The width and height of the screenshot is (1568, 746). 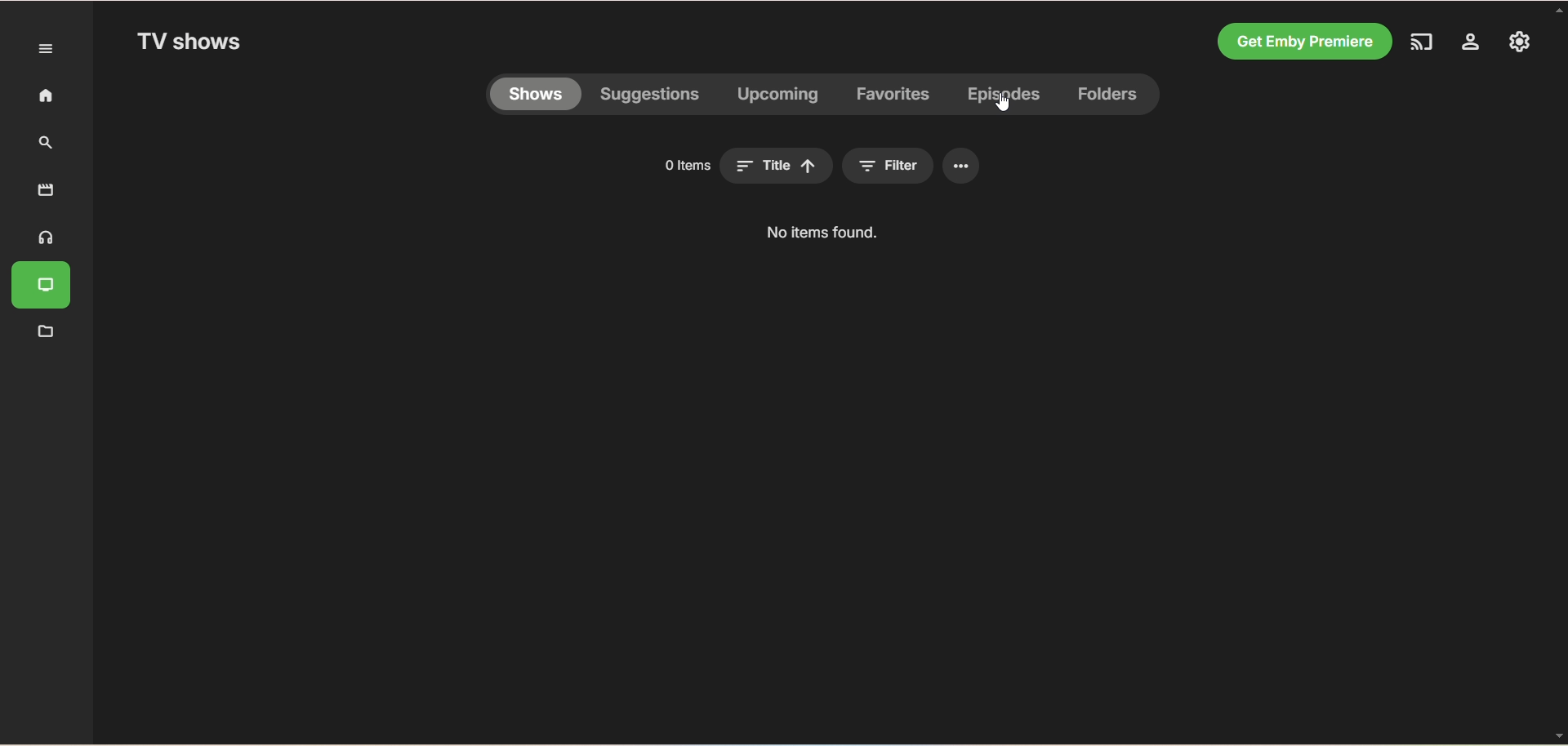 I want to click on settings, so click(x=964, y=163).